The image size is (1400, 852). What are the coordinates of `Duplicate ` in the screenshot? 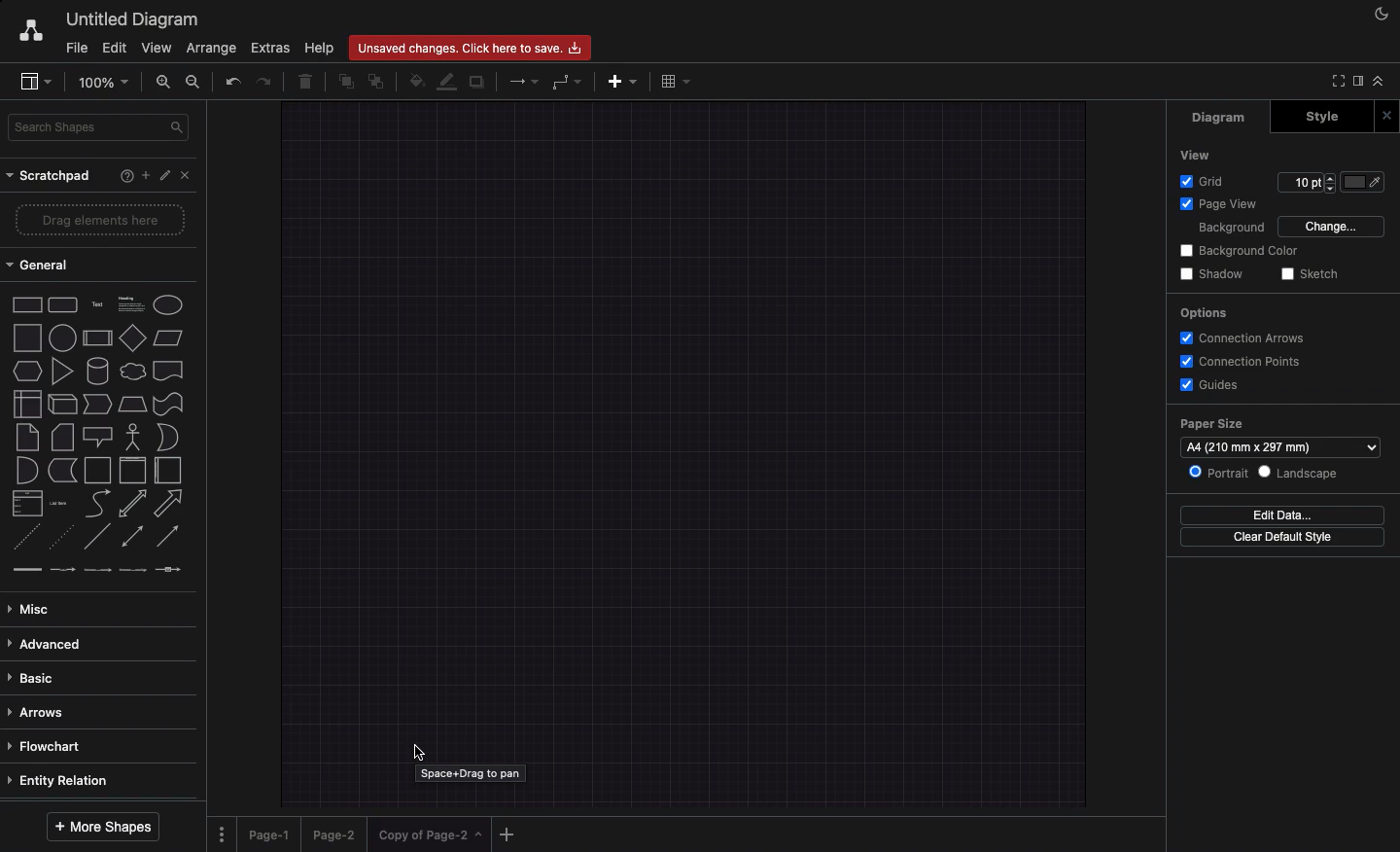 It's located at (476, 84).